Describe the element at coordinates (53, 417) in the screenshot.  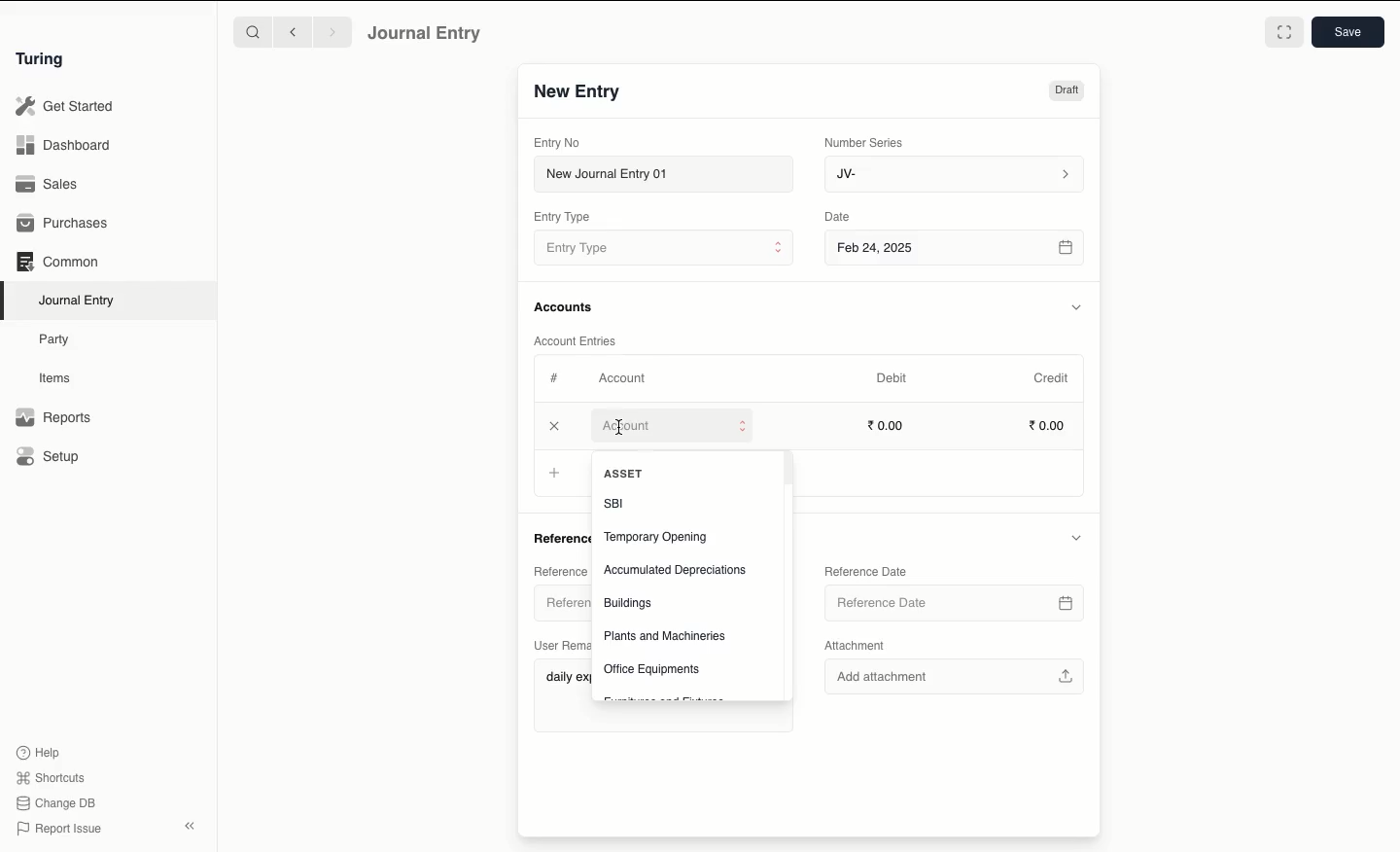
I see `Reports` at that location.